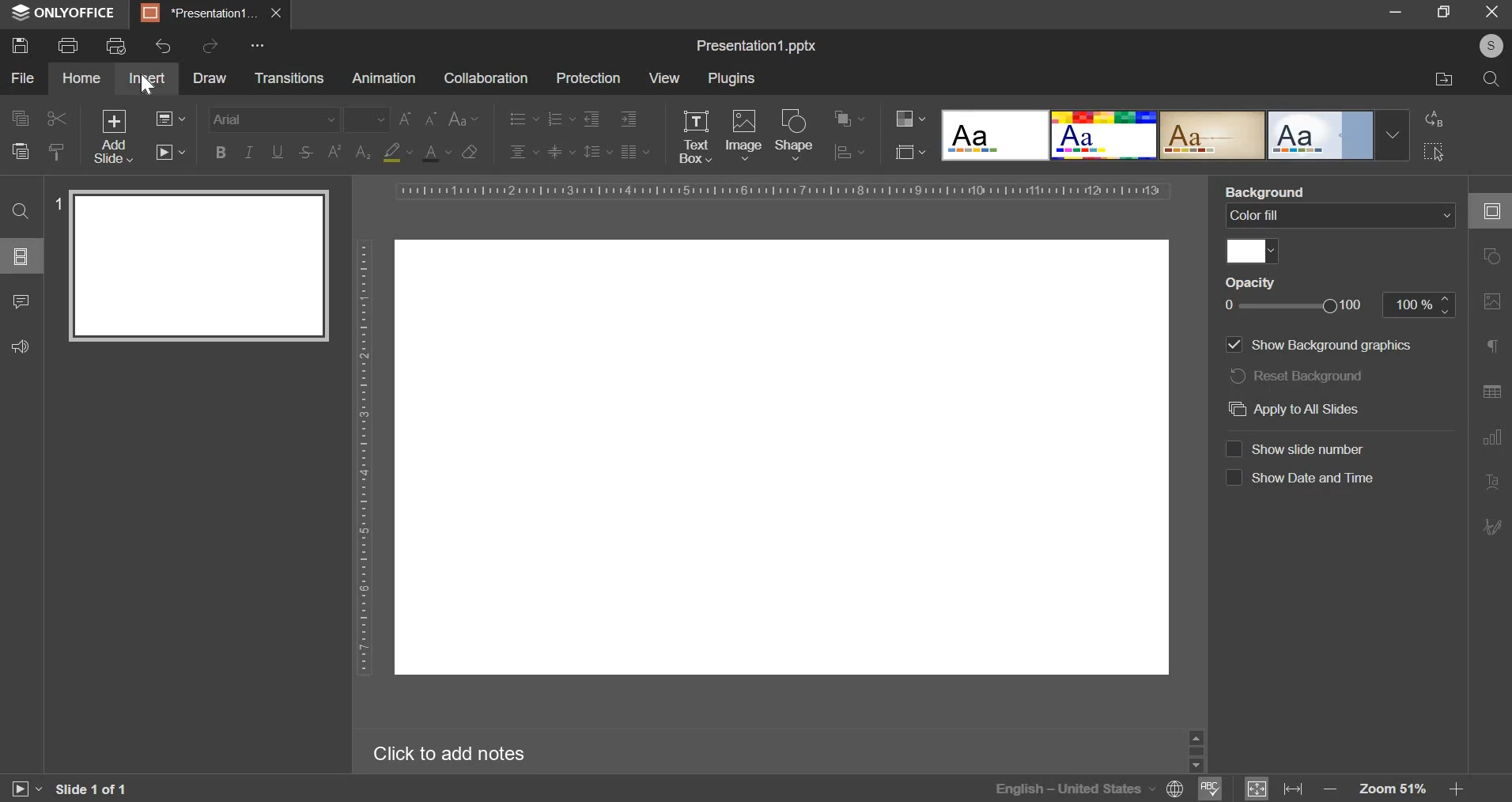 This screenshot has height=802, width=1512. What do you see at coordinates (455, 752) in the screenshot?
I see `click to add notes` at bounding box center [455, 752].